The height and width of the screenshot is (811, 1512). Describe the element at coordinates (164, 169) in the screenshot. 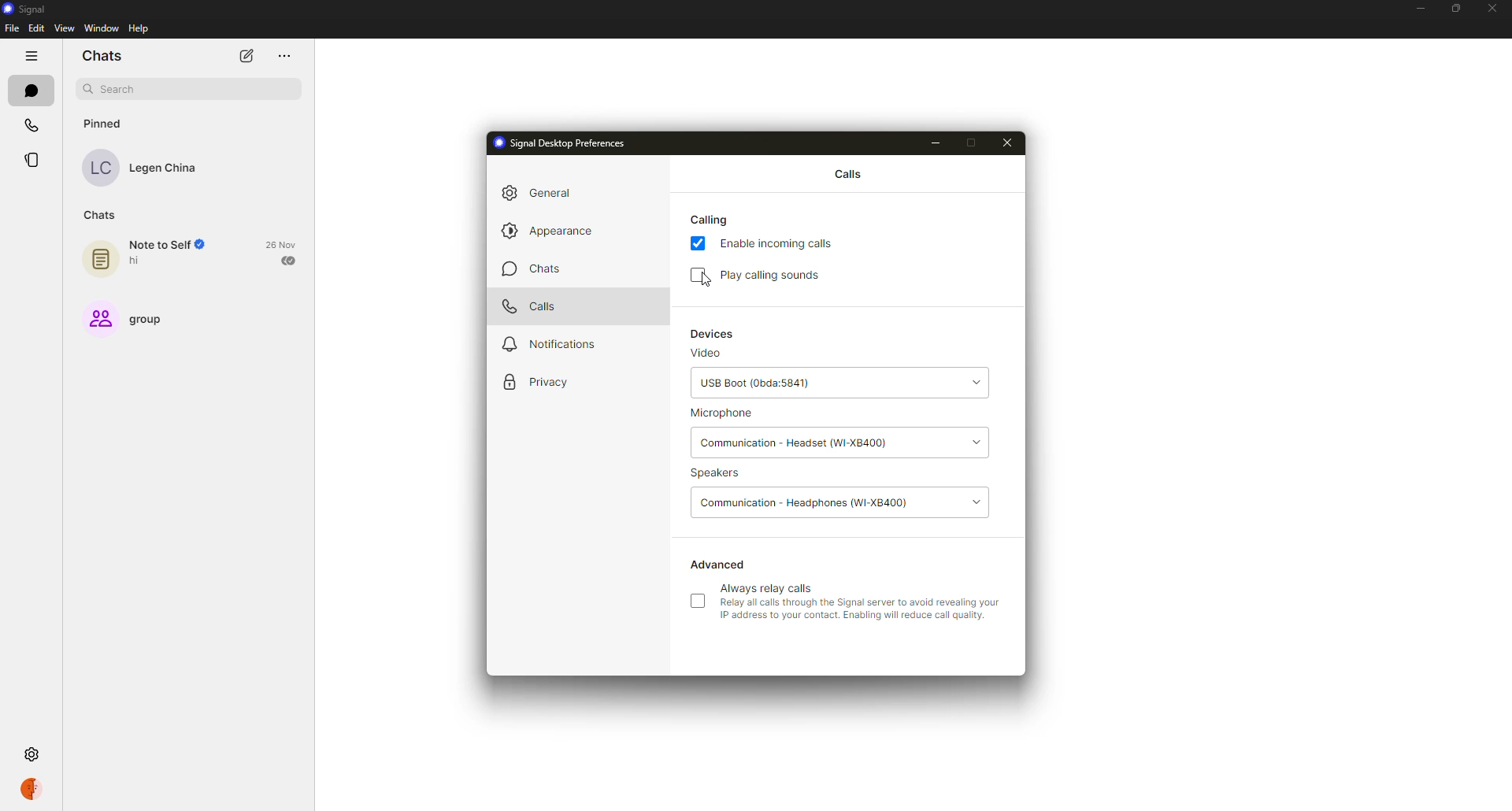

I see `Legen China` at that location.